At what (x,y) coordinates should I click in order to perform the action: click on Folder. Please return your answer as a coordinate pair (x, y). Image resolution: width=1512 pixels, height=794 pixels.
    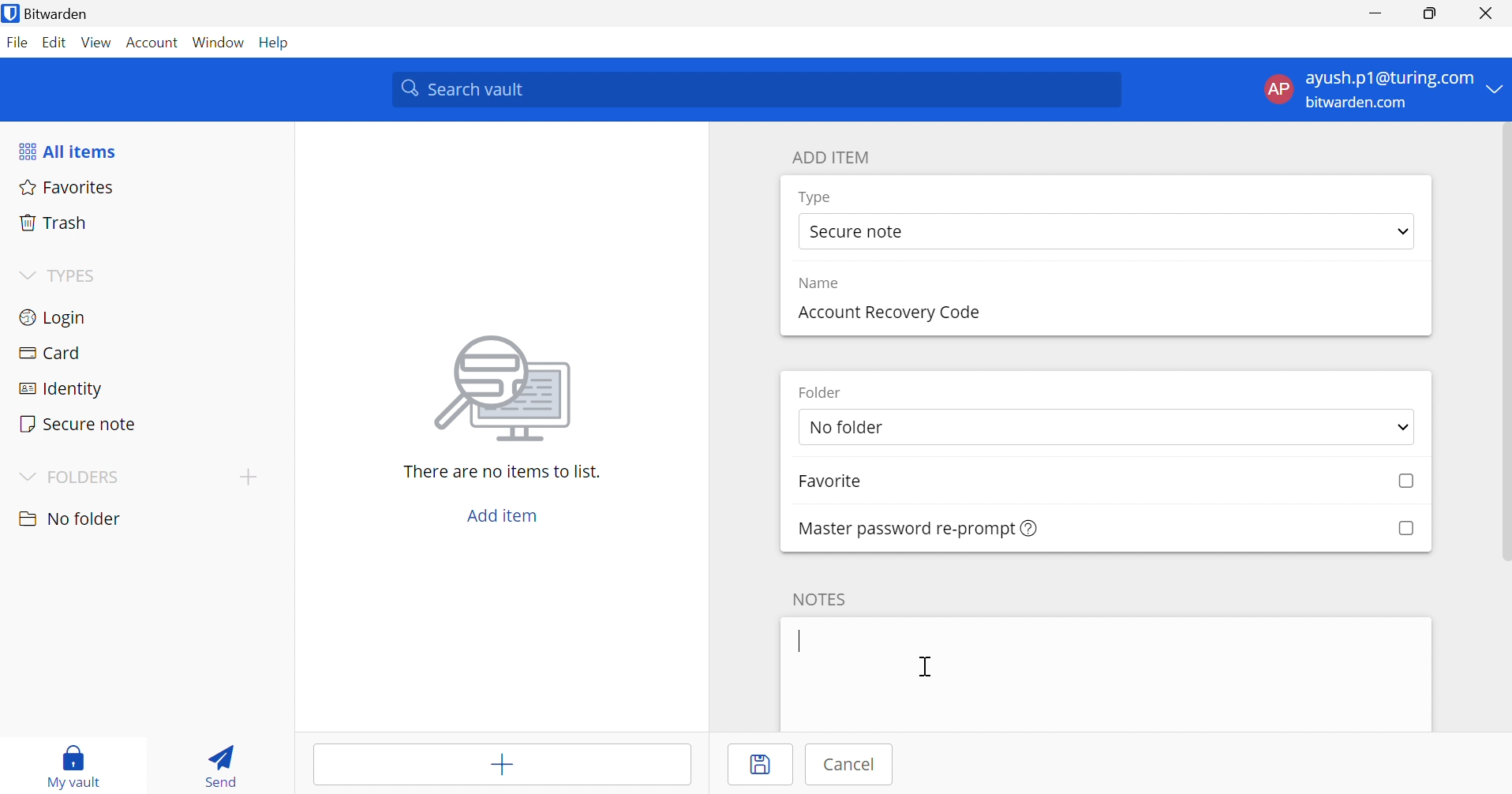
    Looking at the image, I should click on (825, 392).